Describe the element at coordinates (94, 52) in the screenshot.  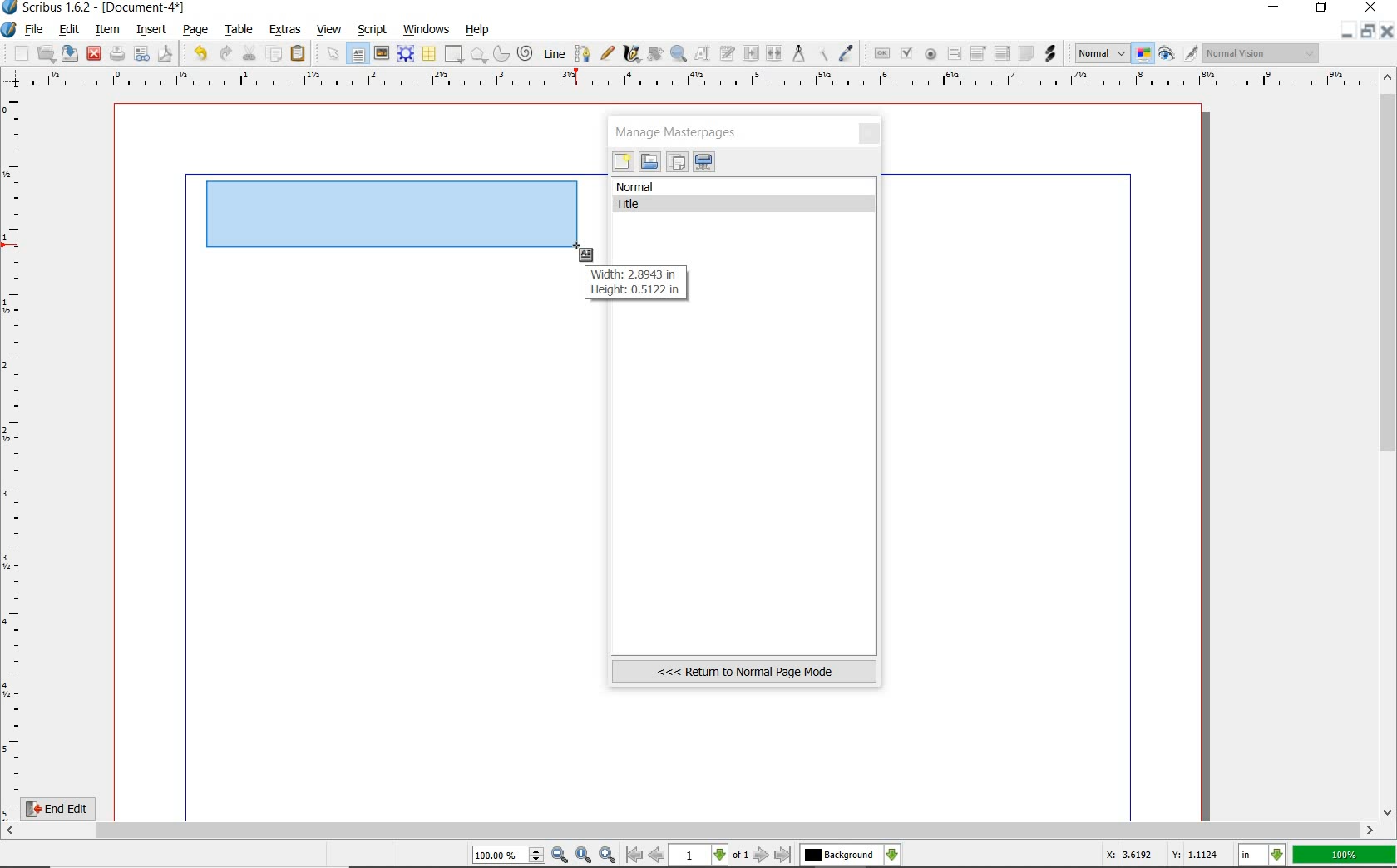
I see `close` at that location.